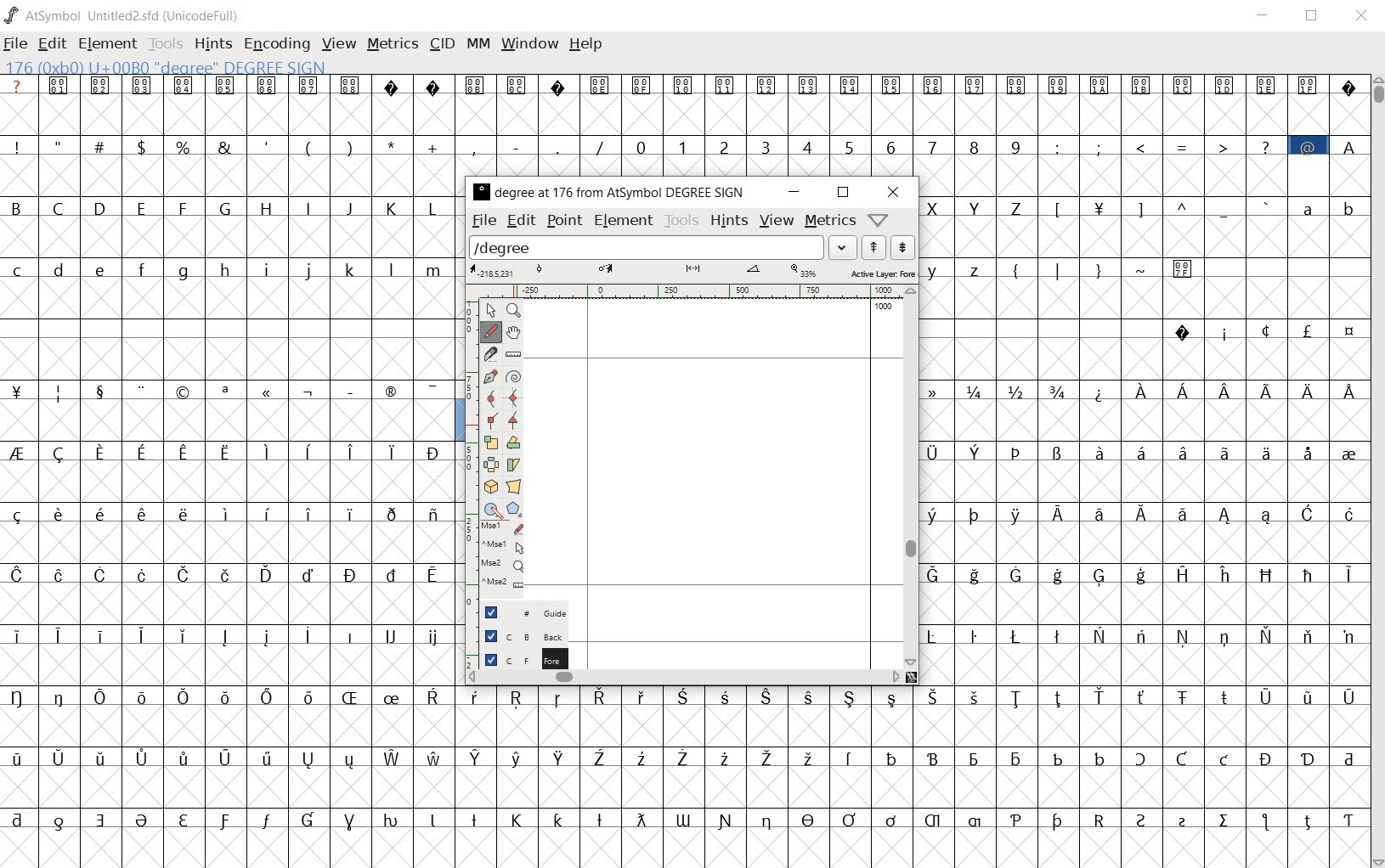 The width and height of the screenshot is (1385, 868). I want to click on cut splines in two, so click(489, 353).